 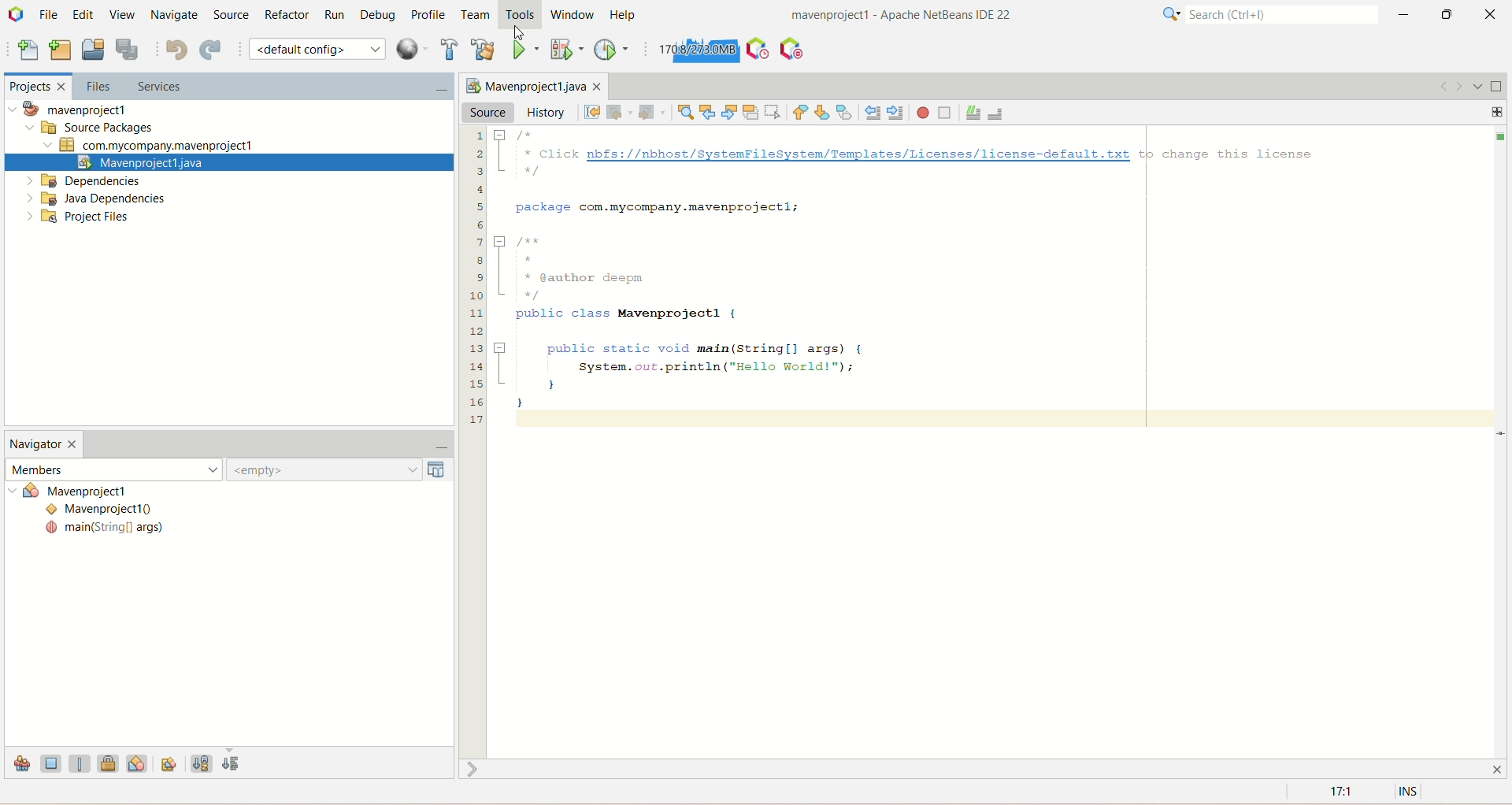 I want to click on context menu, so click(x=412, y=49).